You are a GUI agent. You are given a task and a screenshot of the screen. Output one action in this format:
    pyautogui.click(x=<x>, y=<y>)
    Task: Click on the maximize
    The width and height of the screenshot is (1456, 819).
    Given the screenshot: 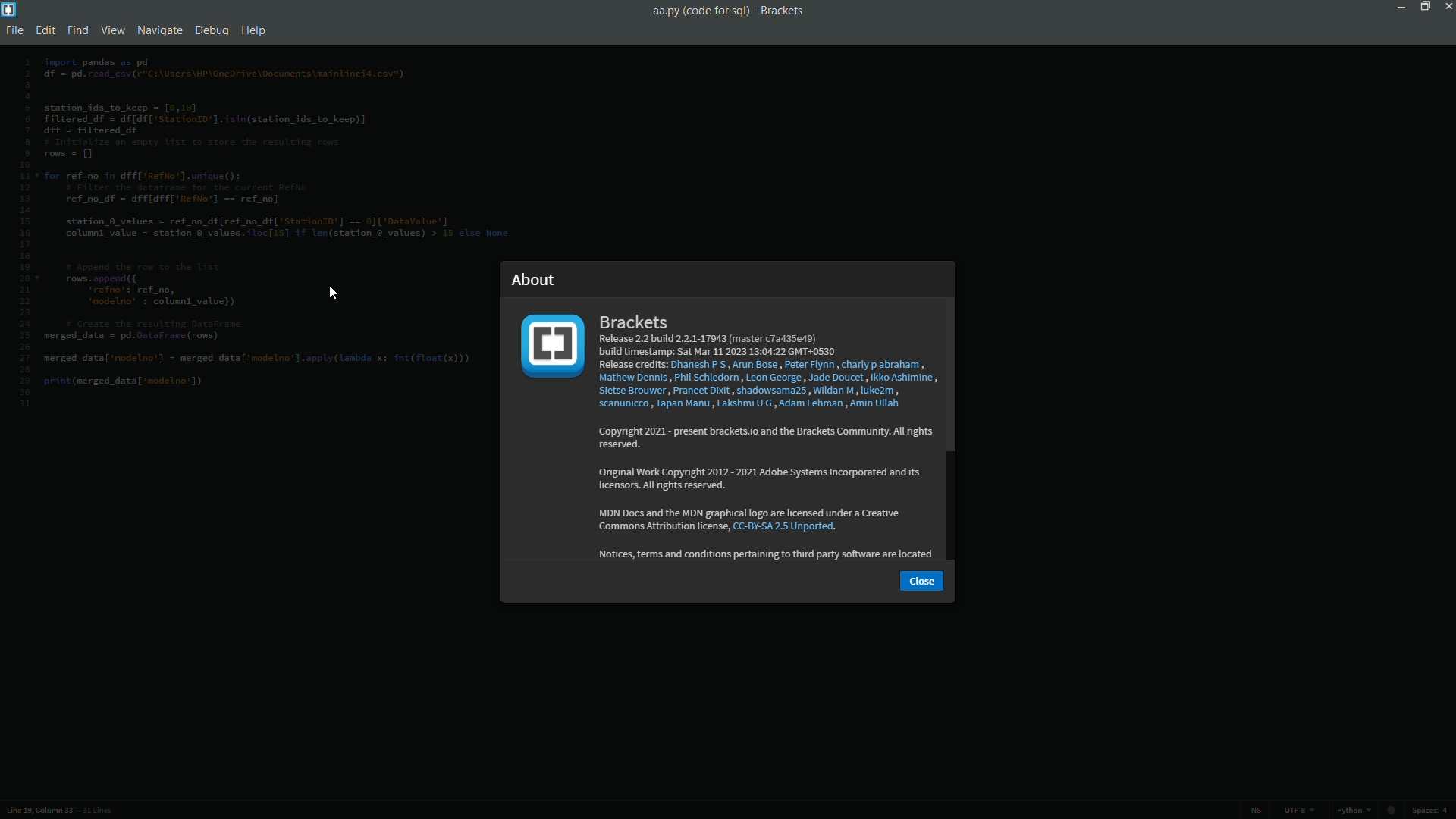 What is the action you would take?
    pyautogui.click(x=1423, y=7)
    